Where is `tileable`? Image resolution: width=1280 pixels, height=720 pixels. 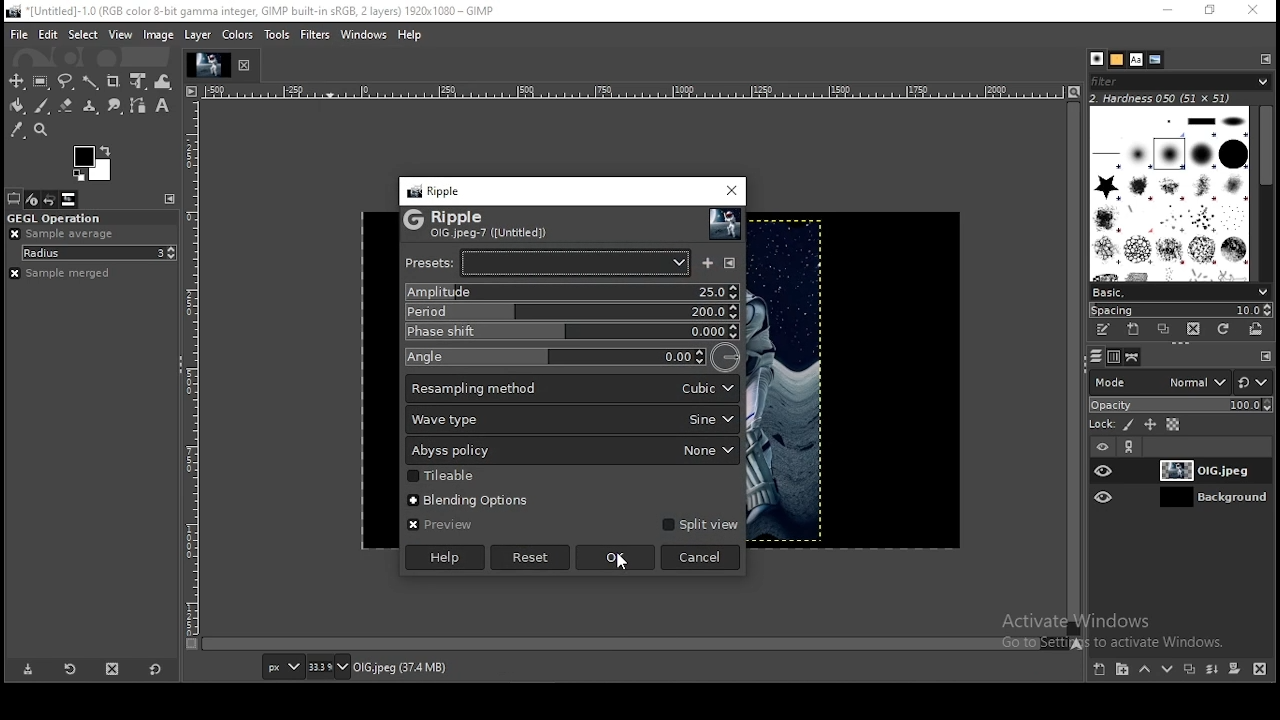
tileable is located at coordinates (452, 476).